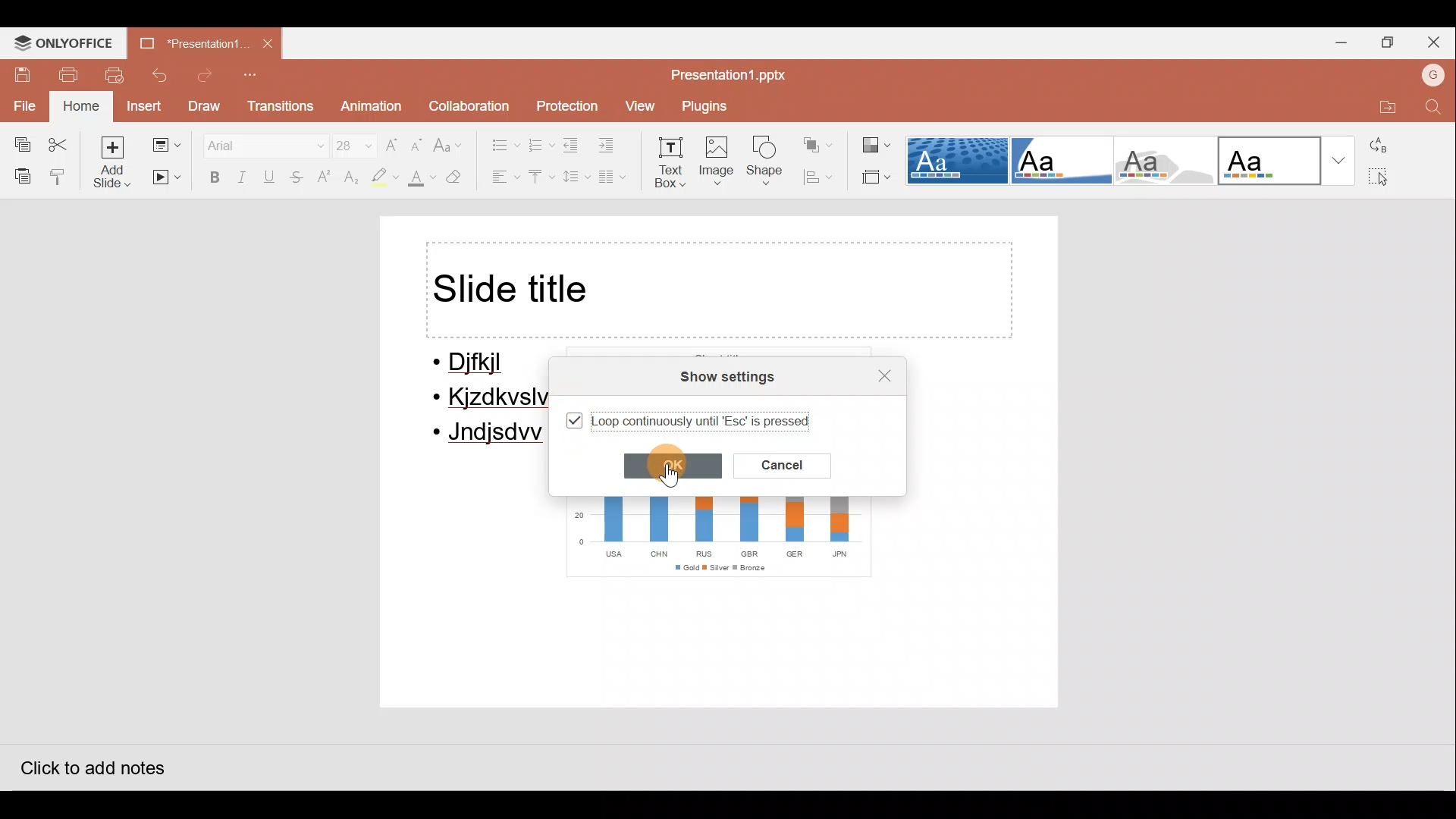 Image resolution: width=1456 pixels, height=819 pixels. I want to click on Save, so click(14, 74).